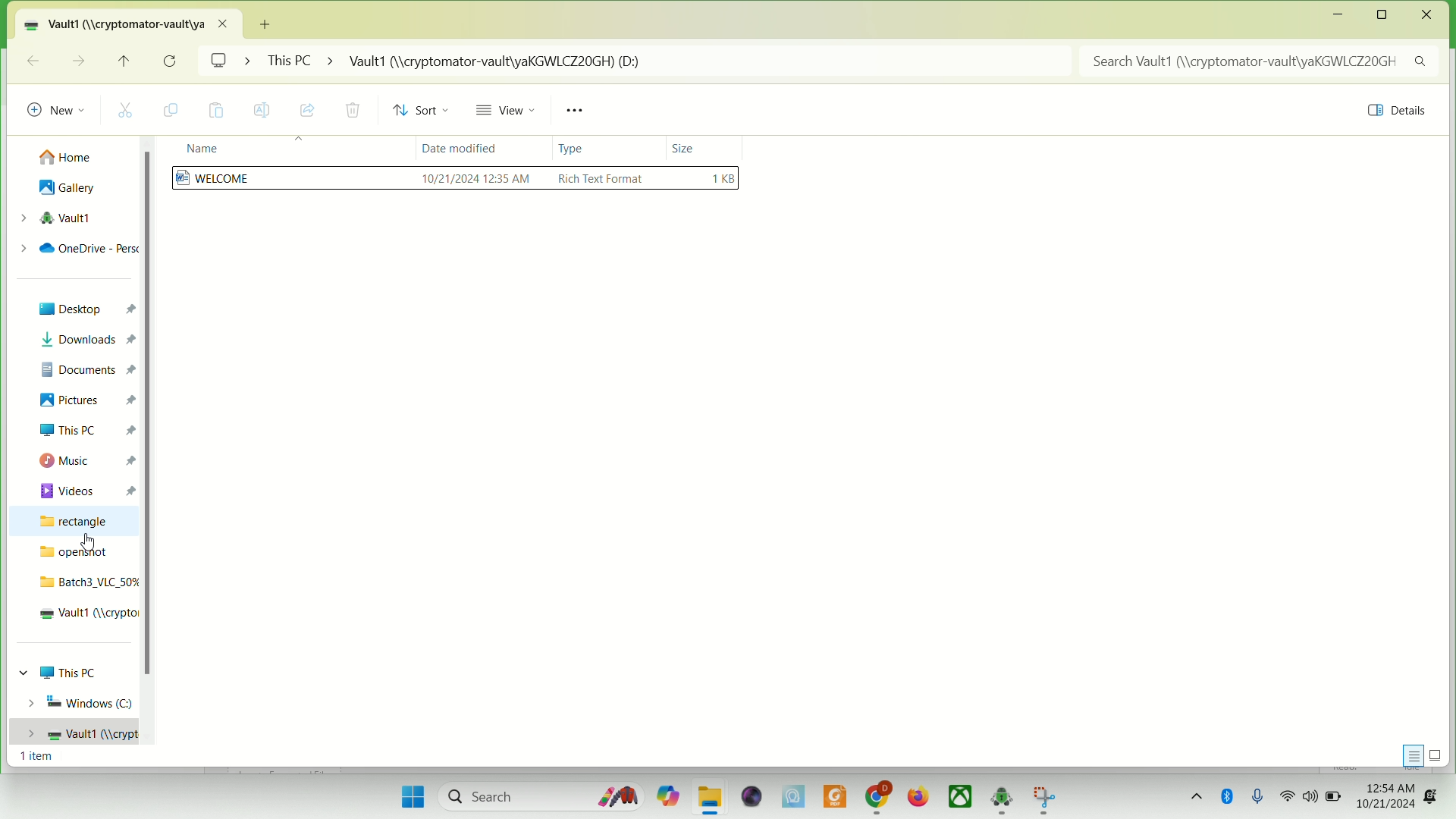 The width and height of the screenshot is (1456, 819). Describe the element at coordinates (71, 733) in the screenshot. I see `vault1` at that location.